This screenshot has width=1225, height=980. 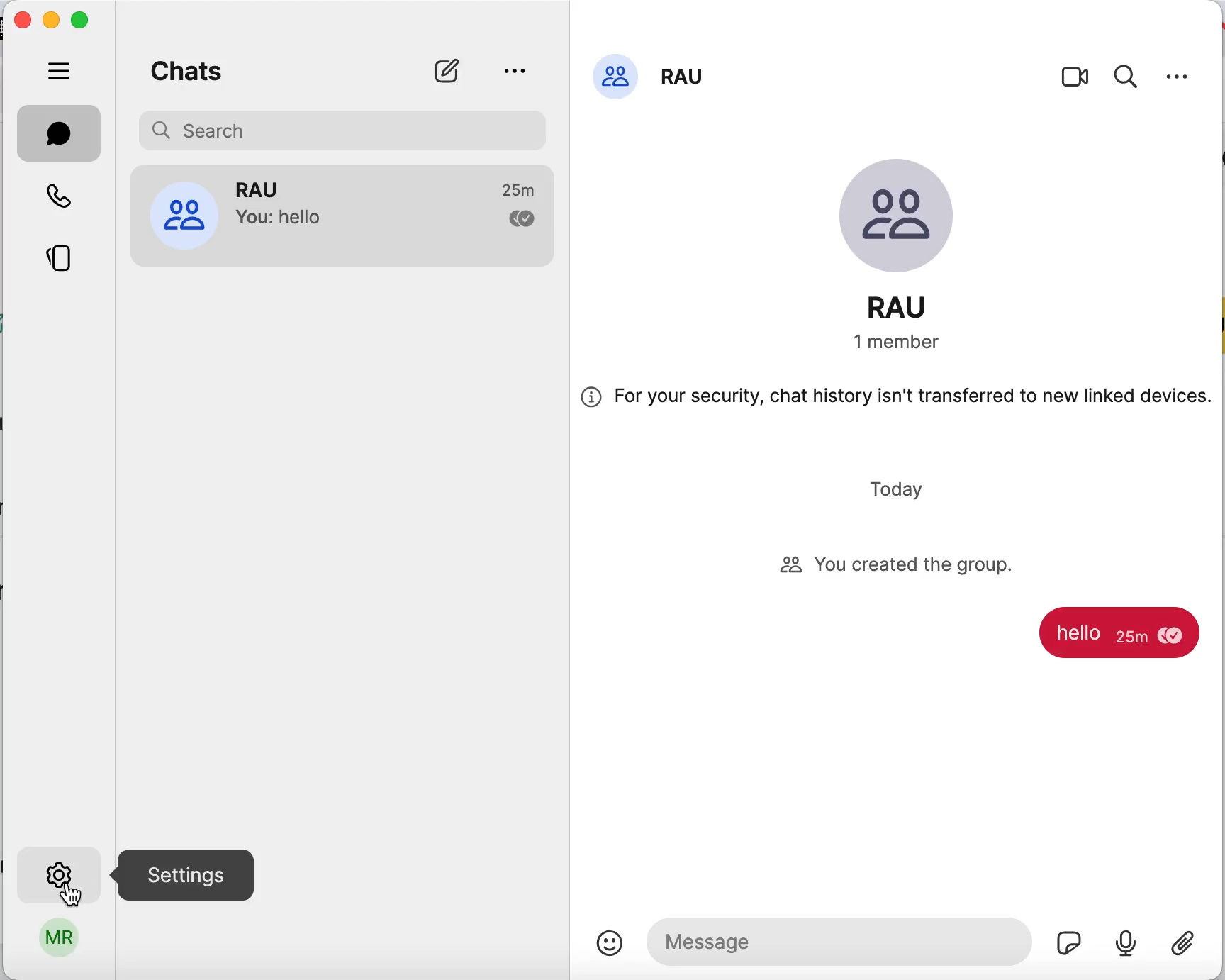 What do you see at coordinates (1131, 73) in the screenshot?
I see `search` at bounding box center [1131, 73].